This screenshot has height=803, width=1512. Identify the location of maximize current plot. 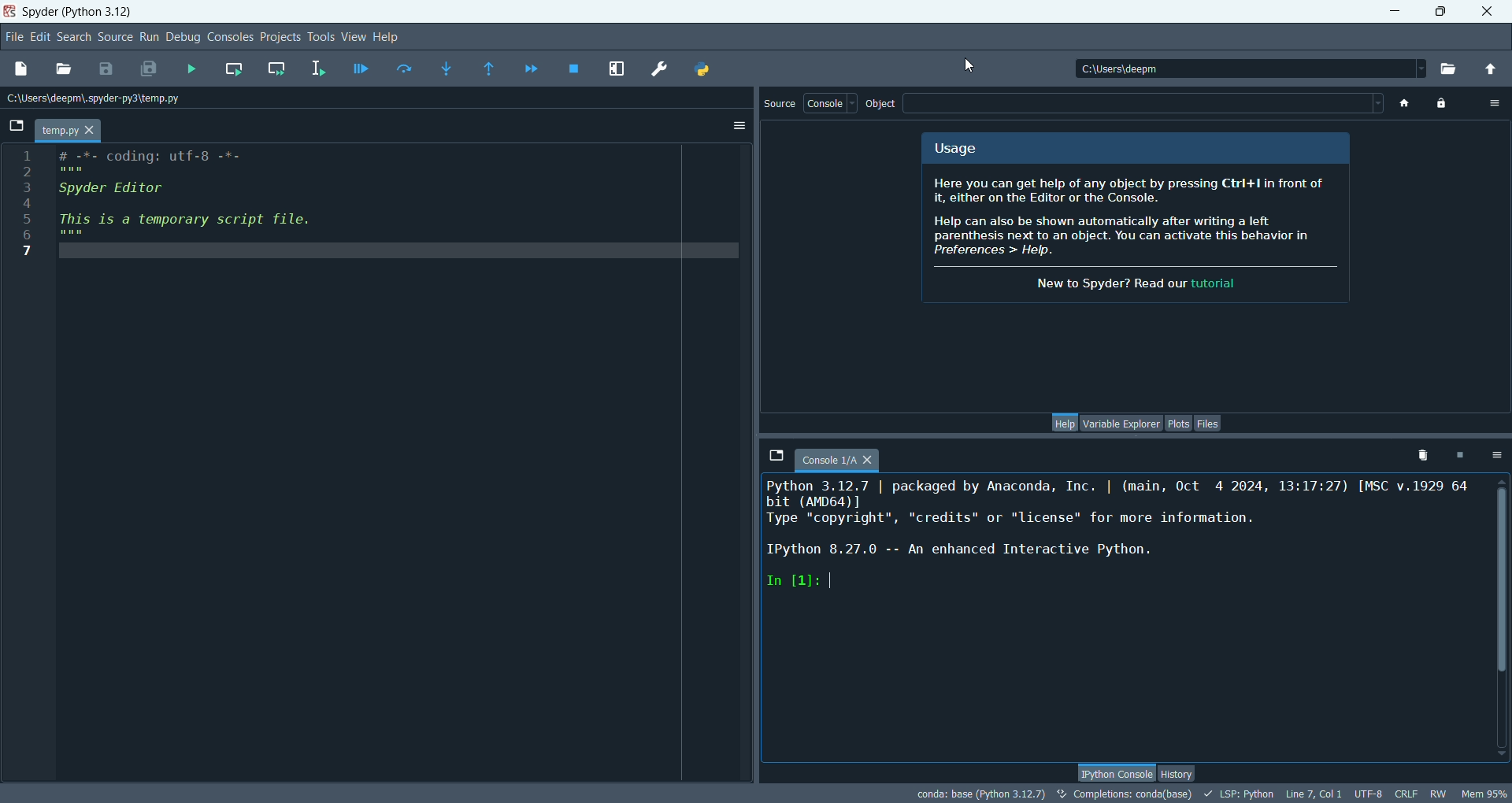
(618, 71).